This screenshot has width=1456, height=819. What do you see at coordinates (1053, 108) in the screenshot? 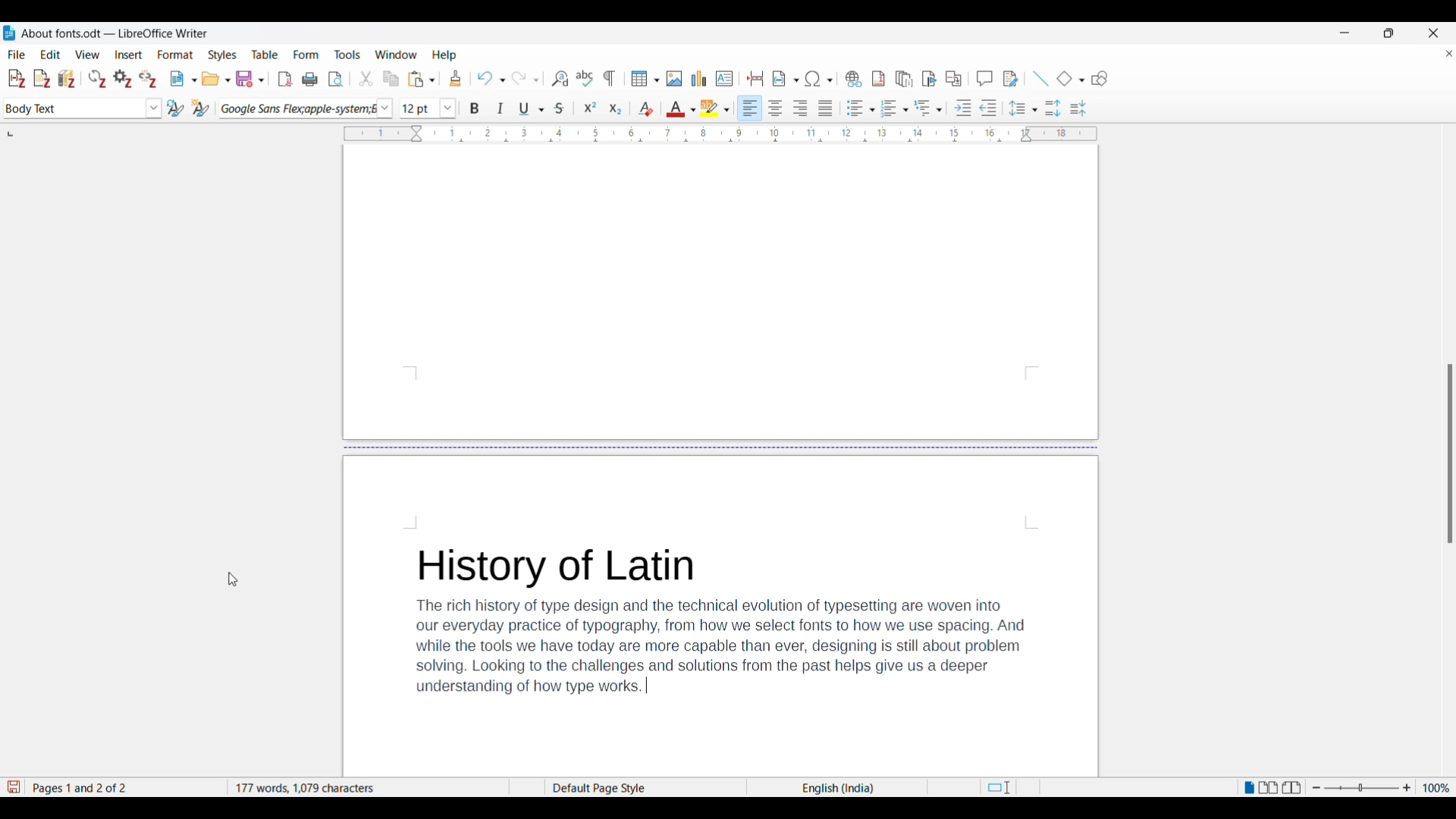
I see `Increase paragraph spacing` at bounding box center [1053, 108].